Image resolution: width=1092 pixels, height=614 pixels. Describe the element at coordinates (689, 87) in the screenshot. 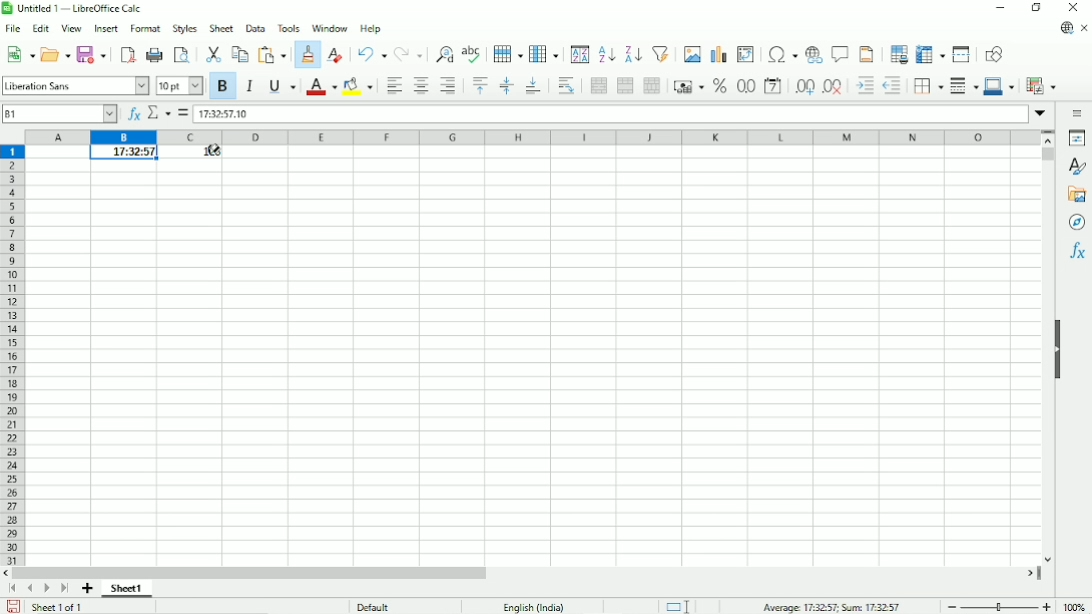

I see `Format as currency` at that location.